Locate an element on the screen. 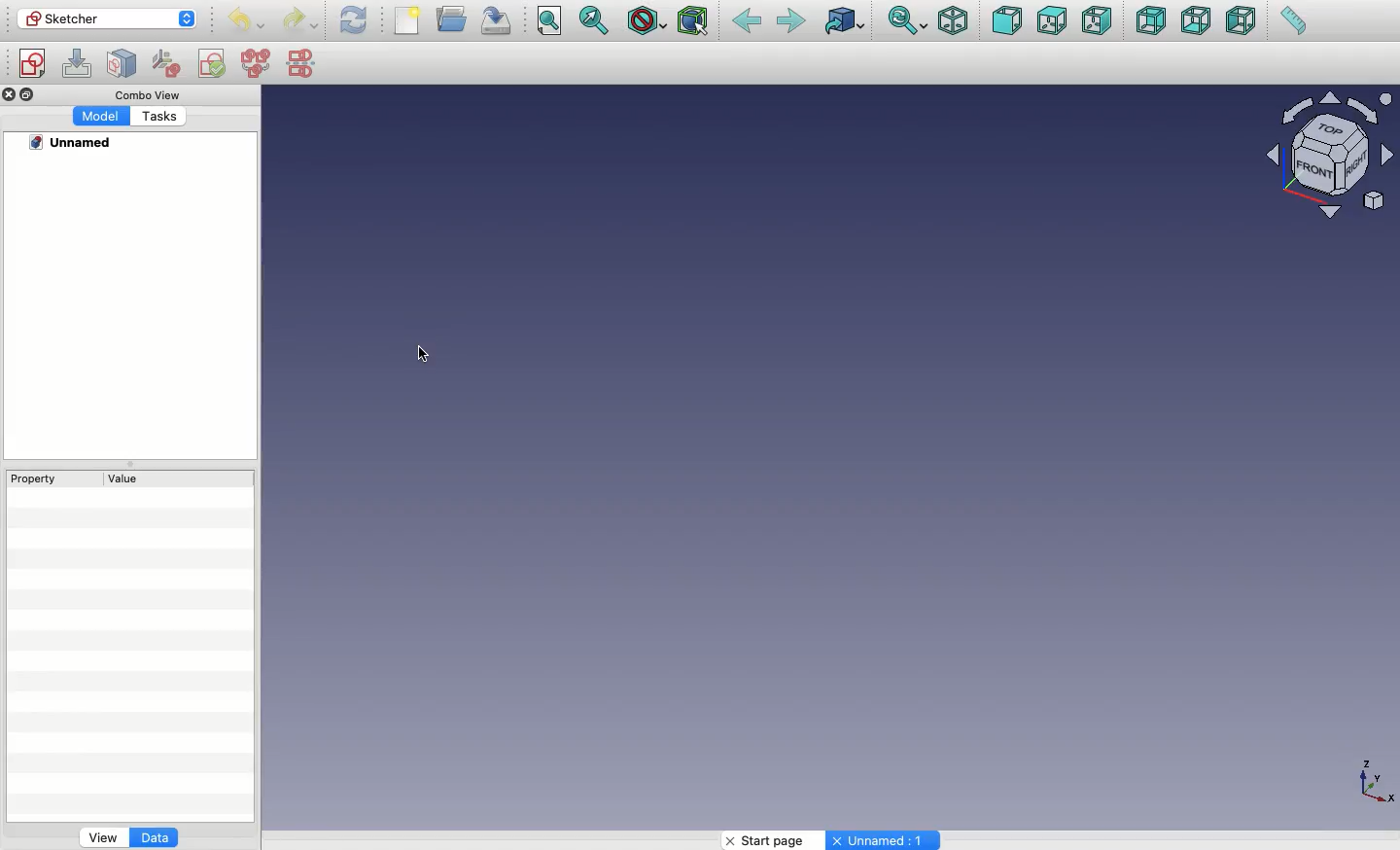 The image size is (1400, 850). Rear is located at coordinates (1150, 20).